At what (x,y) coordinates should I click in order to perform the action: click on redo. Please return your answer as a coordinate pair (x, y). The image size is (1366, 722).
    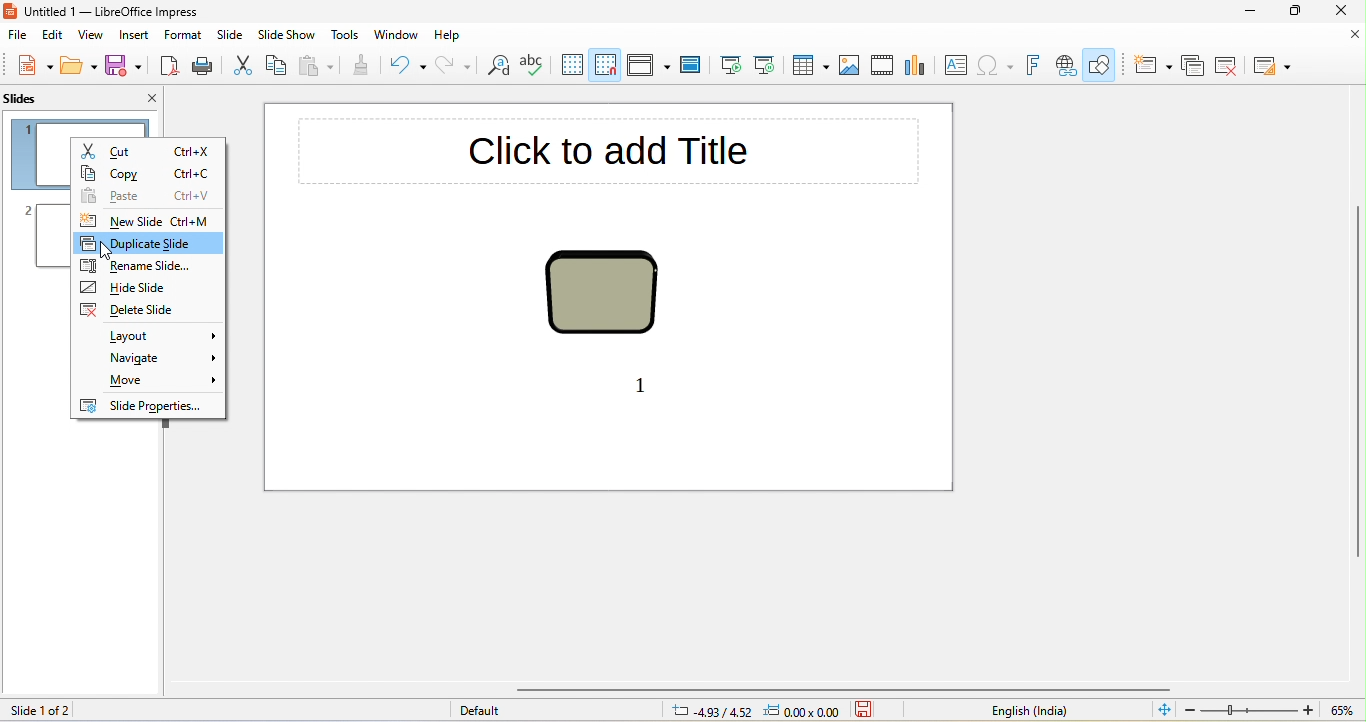
    Looking at the image, I should click on (455, 68).